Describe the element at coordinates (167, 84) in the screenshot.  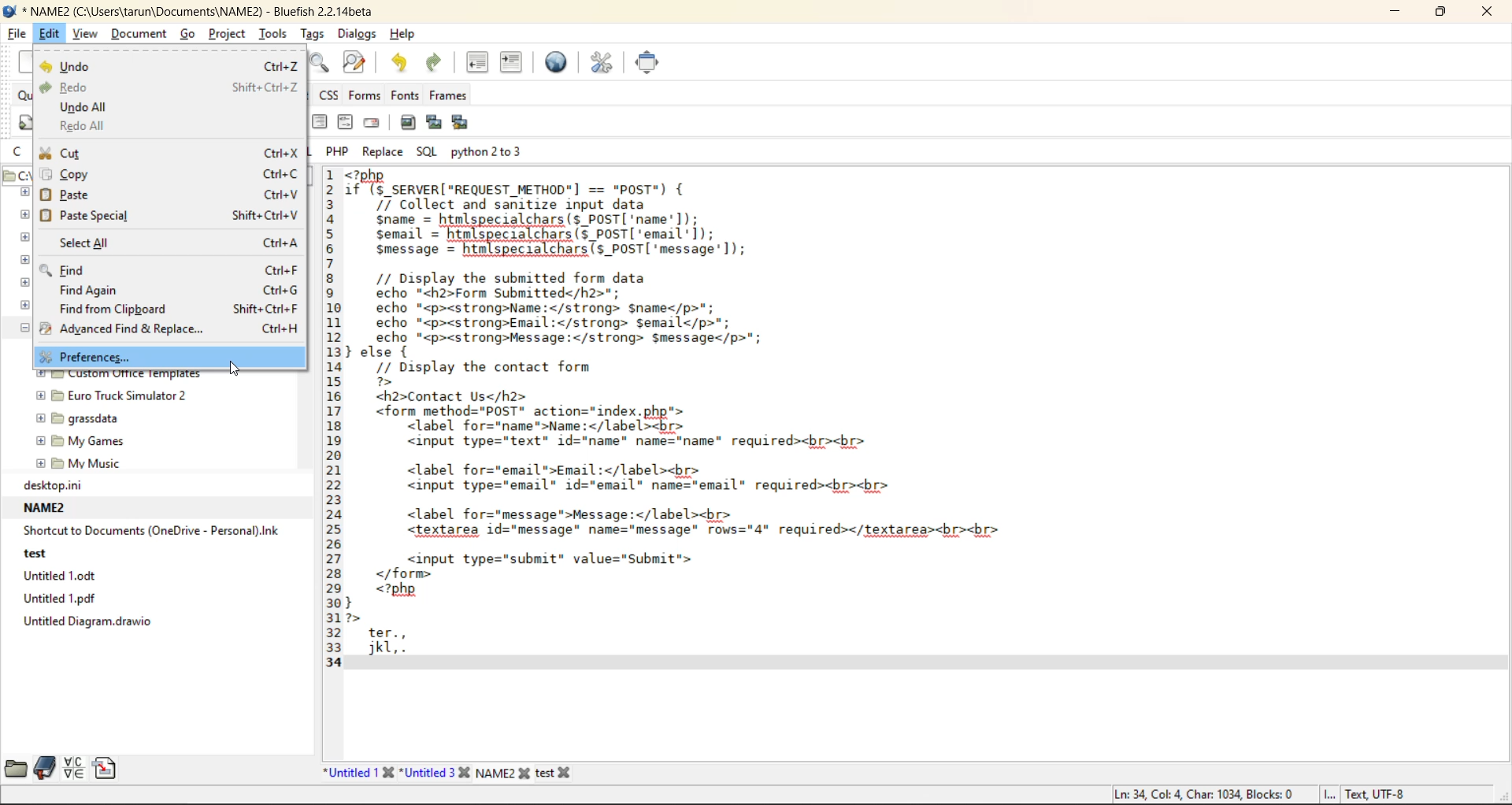
I see `redo` at that location.